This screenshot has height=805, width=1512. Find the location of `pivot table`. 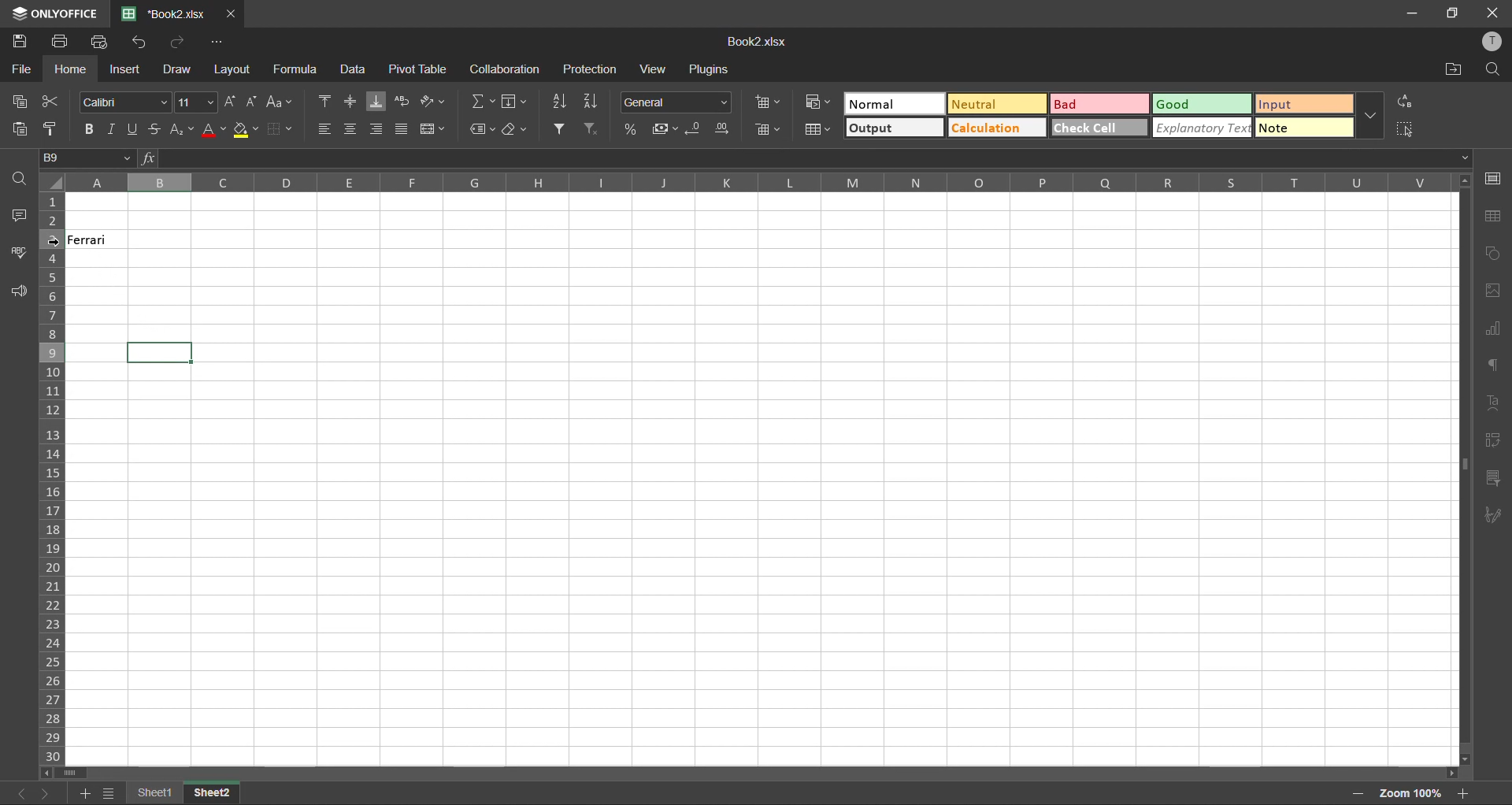

pivot table is located at coordinates (1495, 442).